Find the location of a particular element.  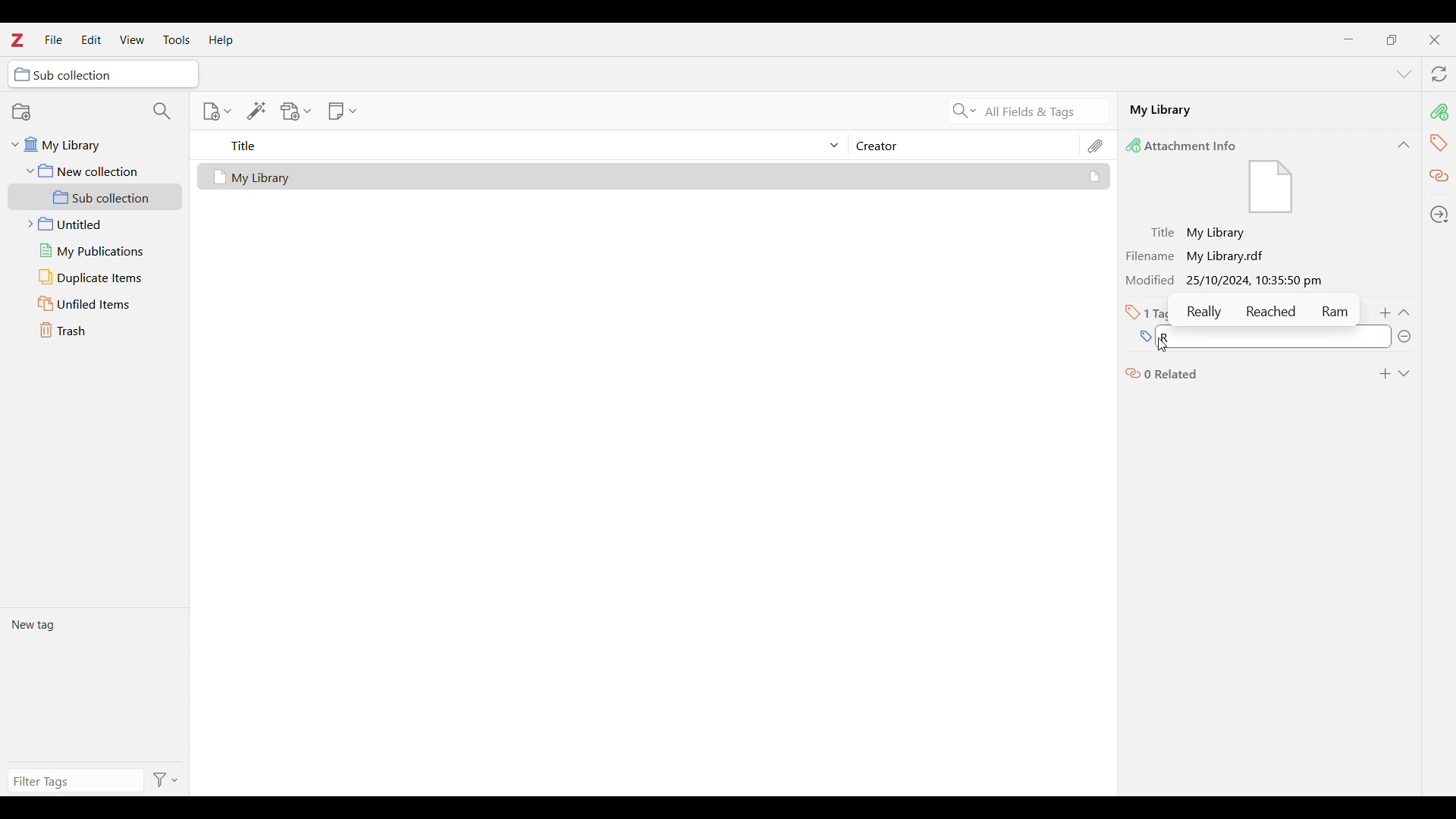

Untitled folder is located at coordinates (92, 222).